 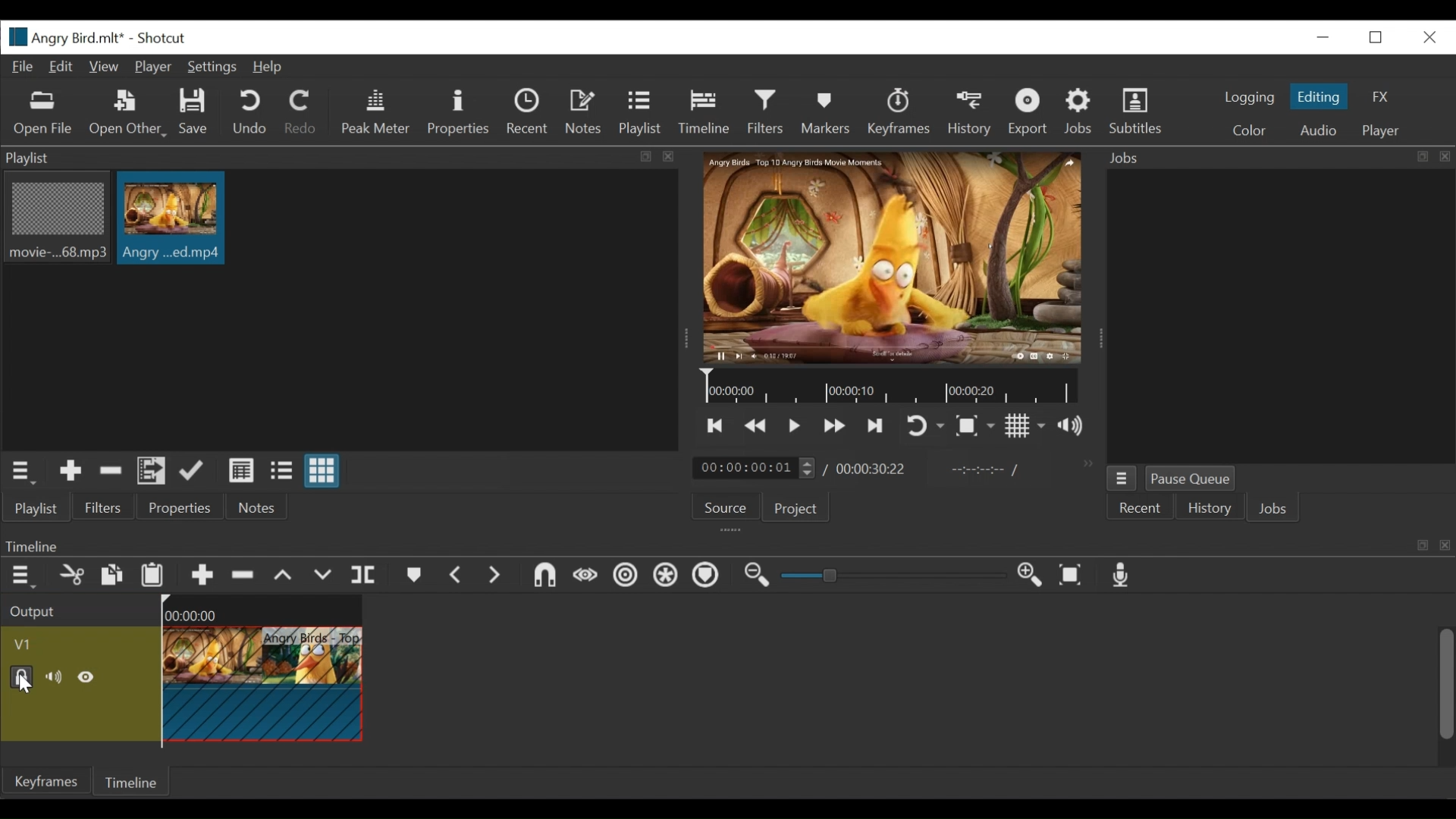 What do you see at coordinates (152, 576) in the screenshot?
I see `Paste` at bounding box center [152, 576].